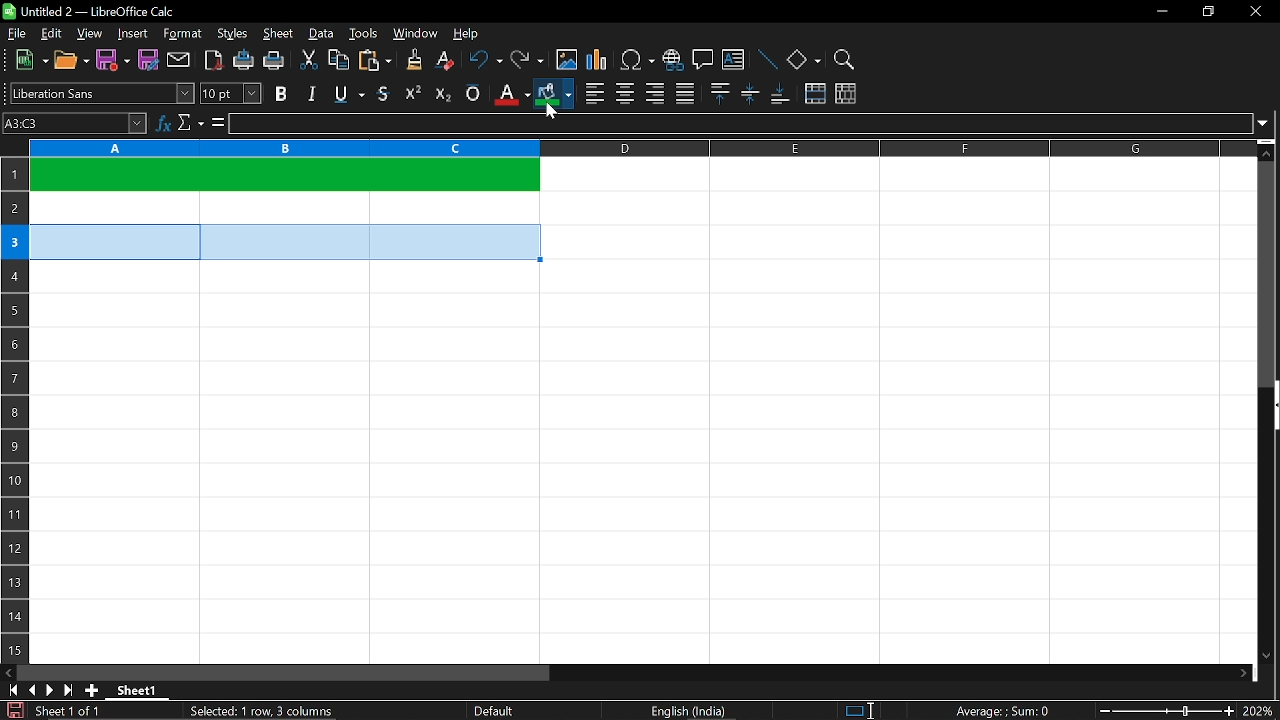 The height and width of the screenshot is (720, 1280). I want to click on restore down, so click(1207, 10).